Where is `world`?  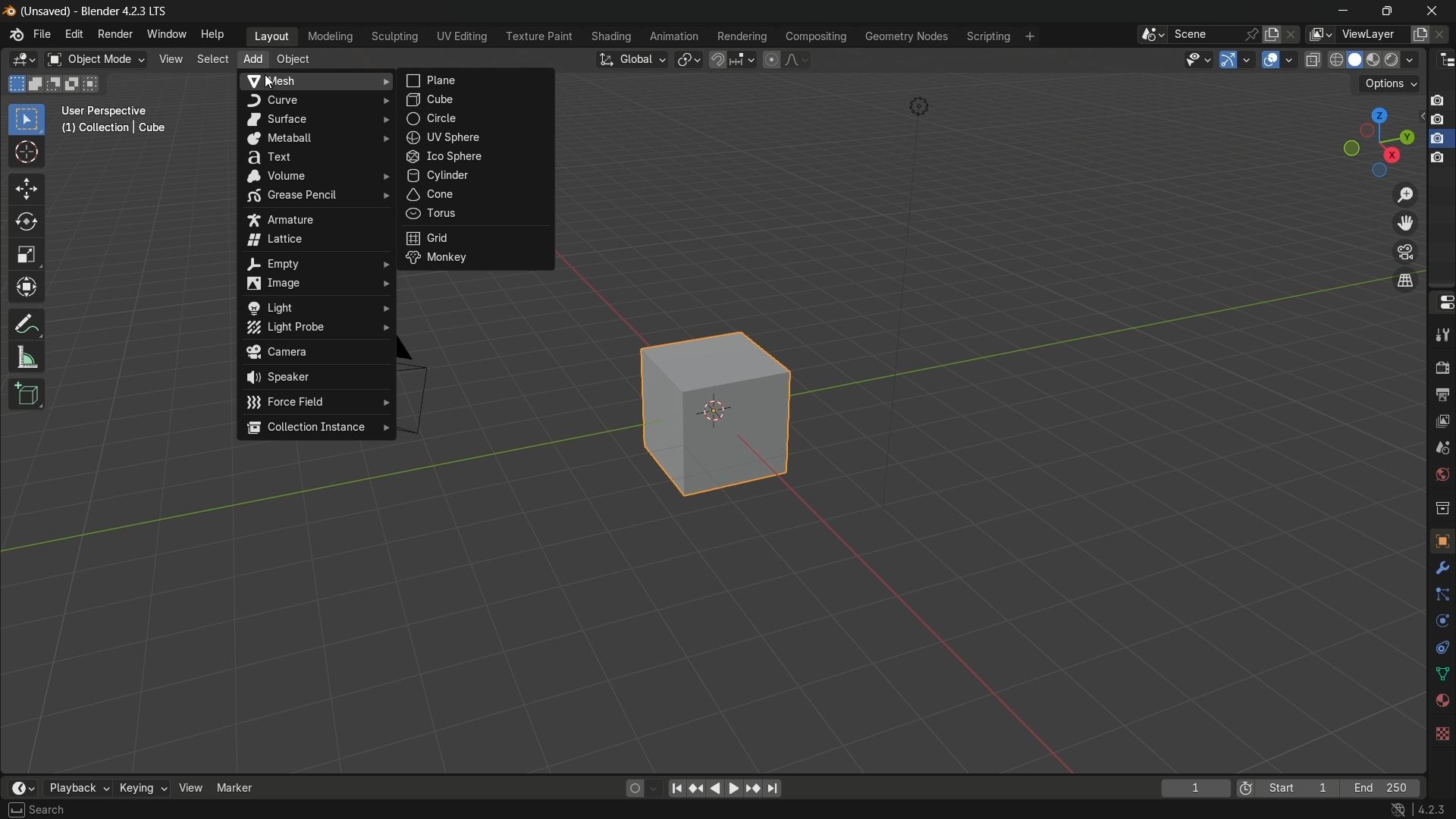
world is located at coordinates (1439, 475).